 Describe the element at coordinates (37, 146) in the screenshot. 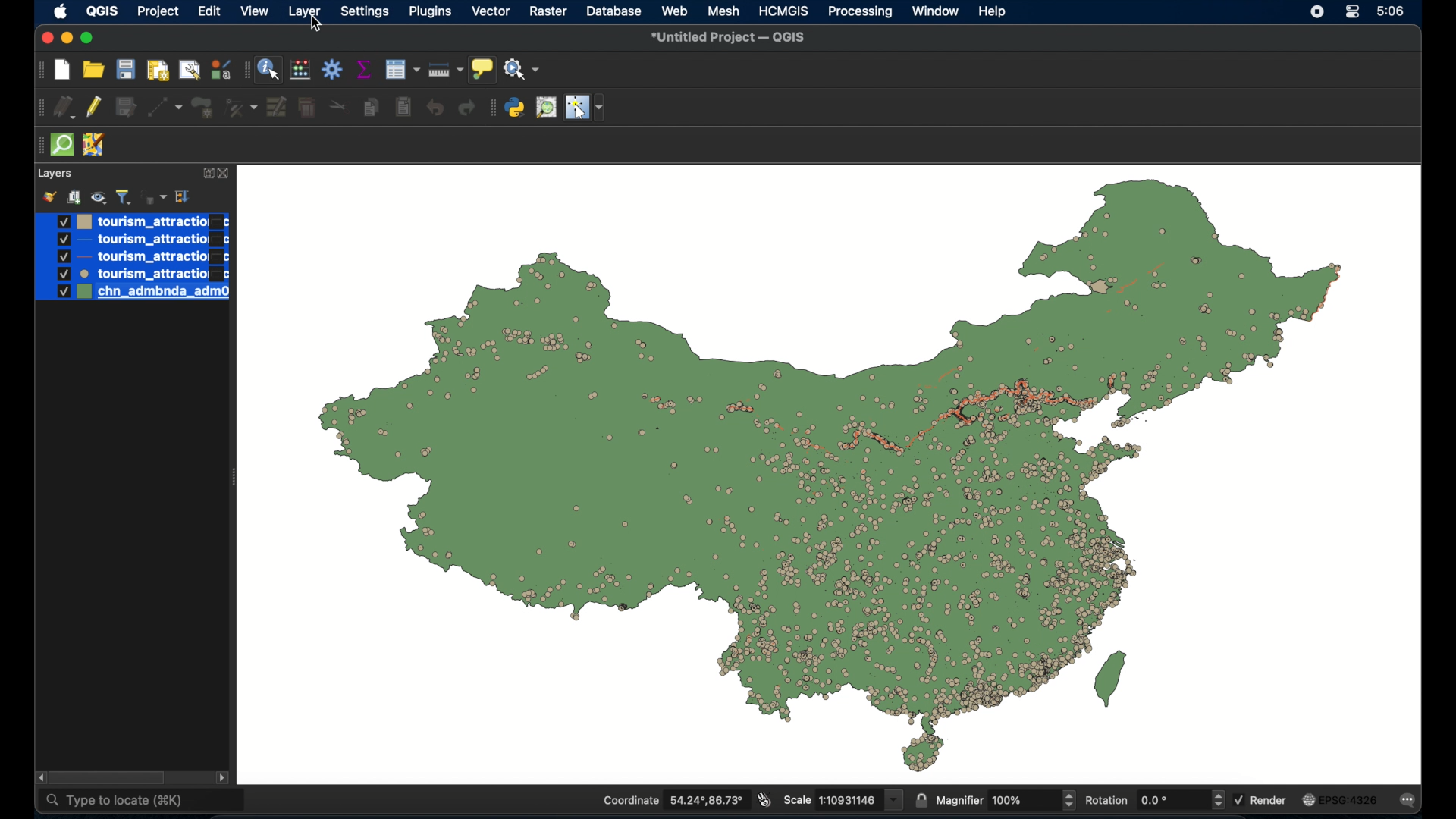

I see `drag handle` at that location.